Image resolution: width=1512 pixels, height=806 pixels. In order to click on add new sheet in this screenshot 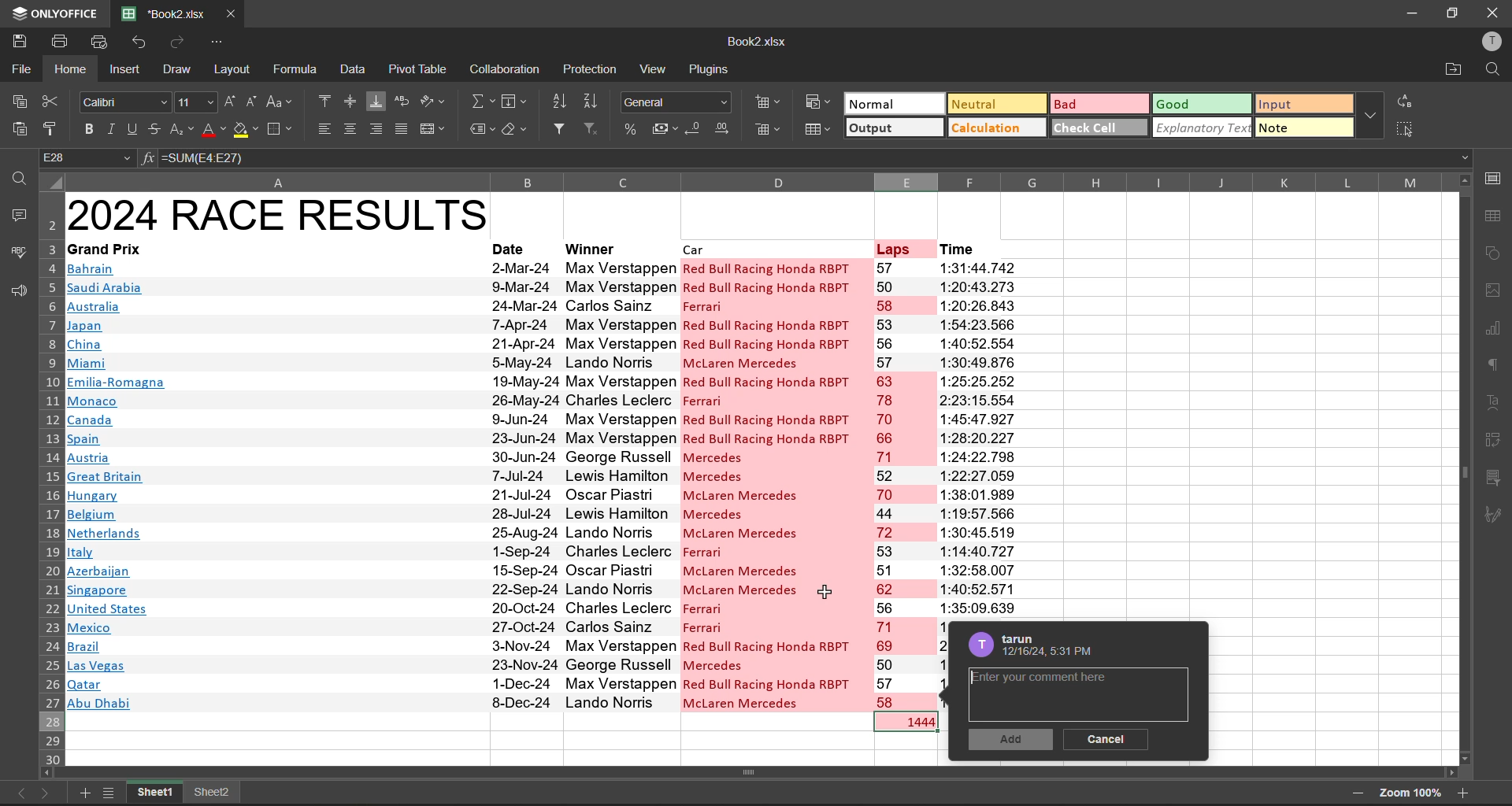, I will do `click(84, 793)`.